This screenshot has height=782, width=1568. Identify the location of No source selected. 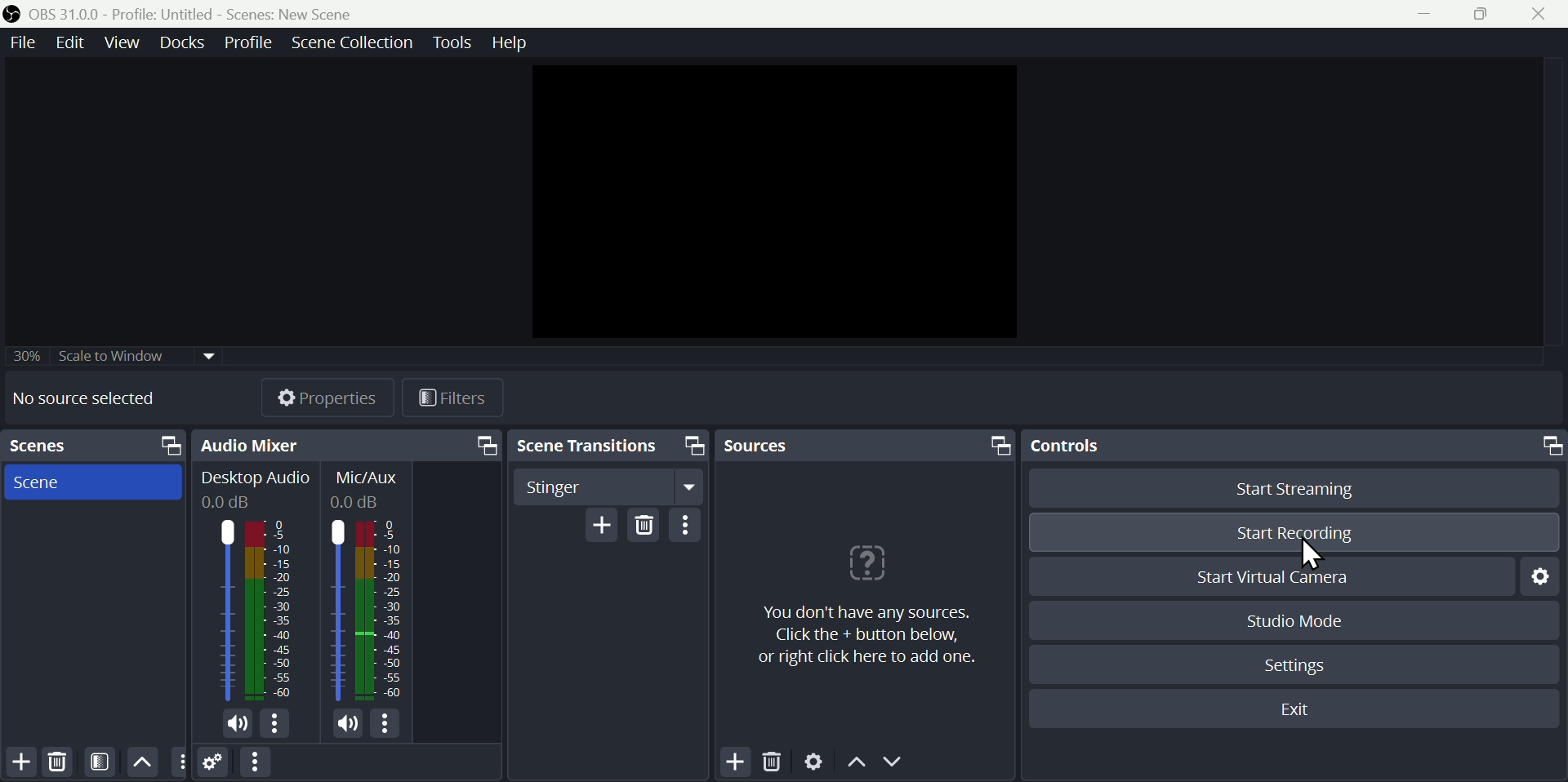
(95, 398).